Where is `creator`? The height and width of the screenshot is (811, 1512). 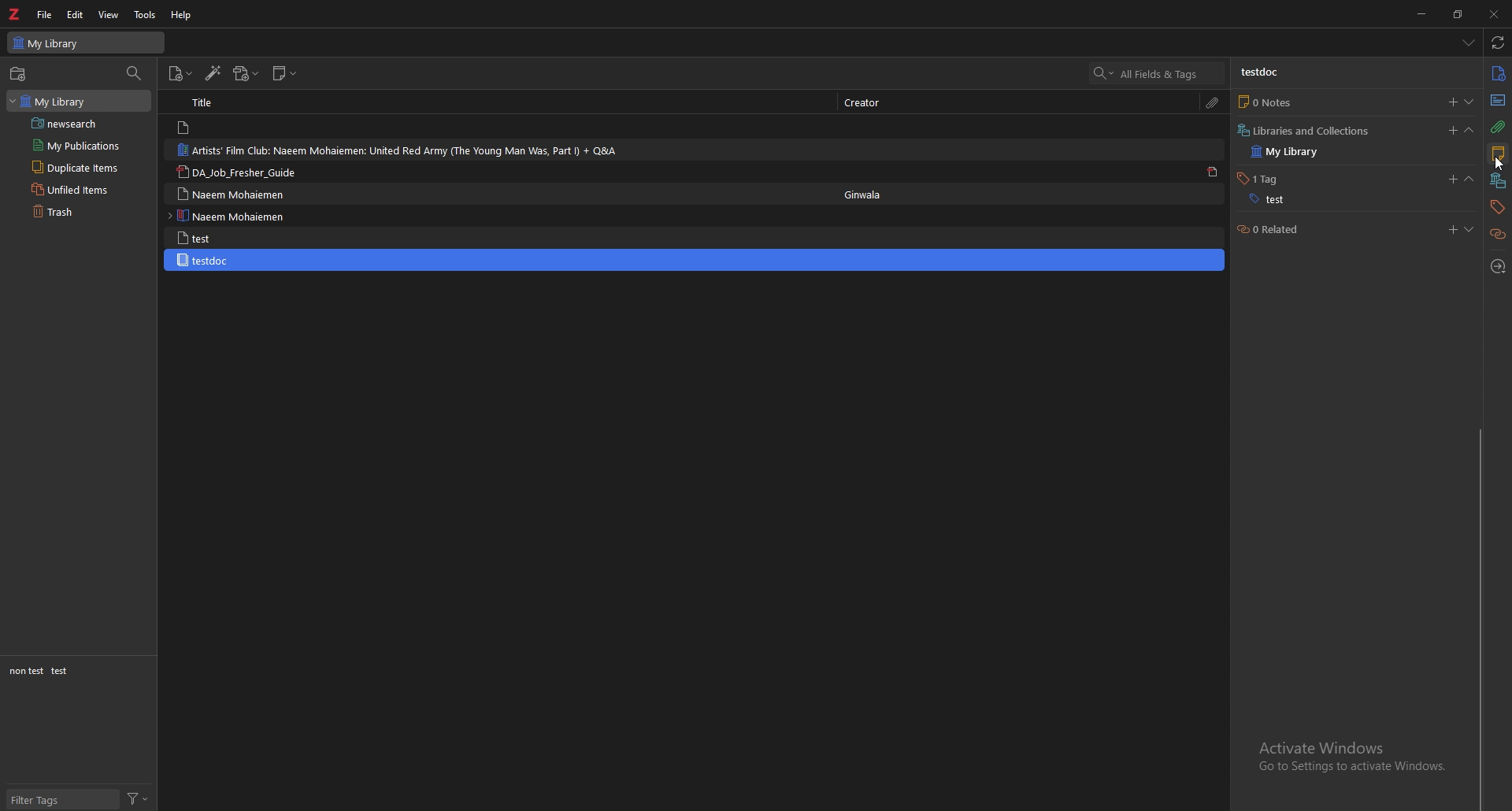 creator is located at coordinates (874, 102).